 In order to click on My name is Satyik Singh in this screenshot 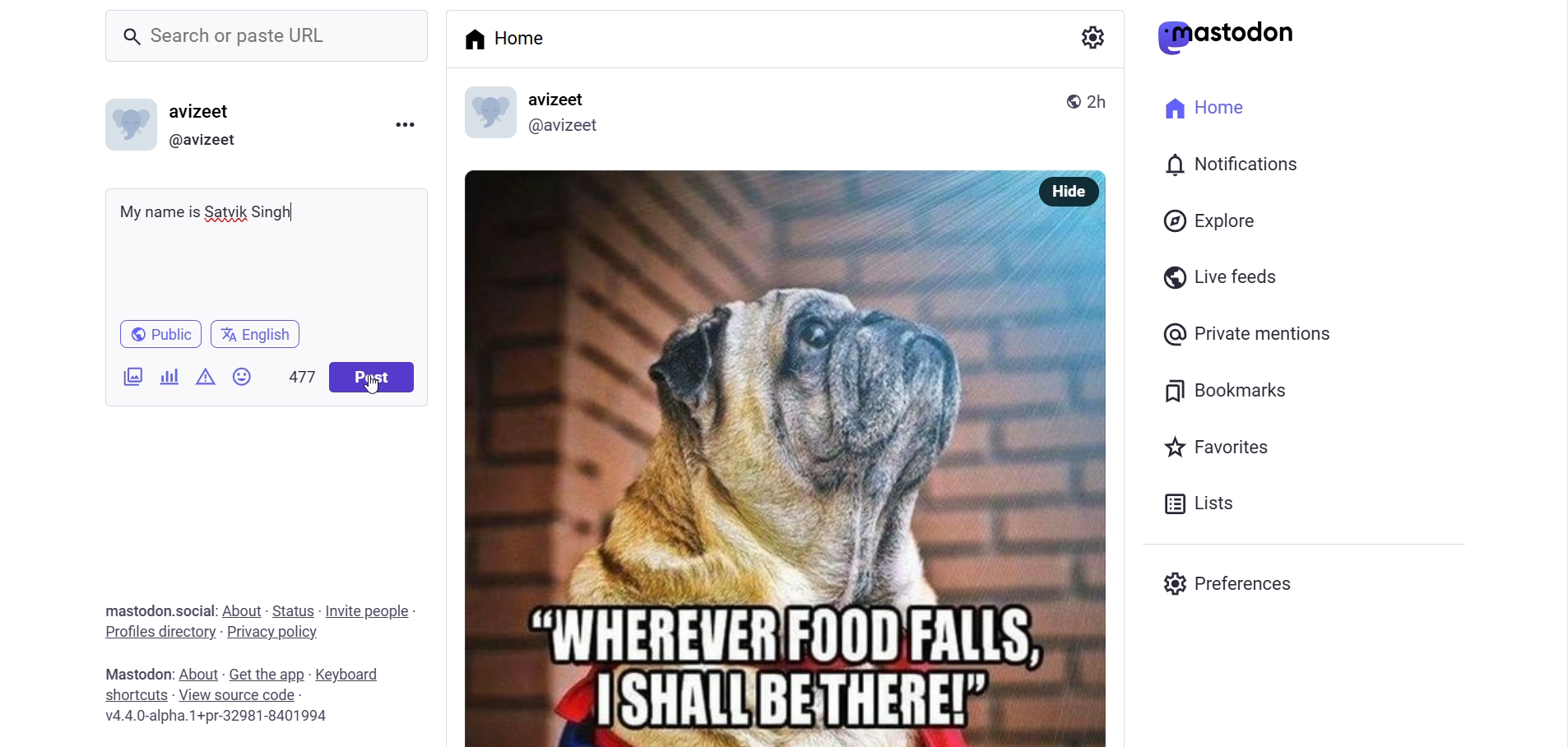, I will do `click(211, 214)`.